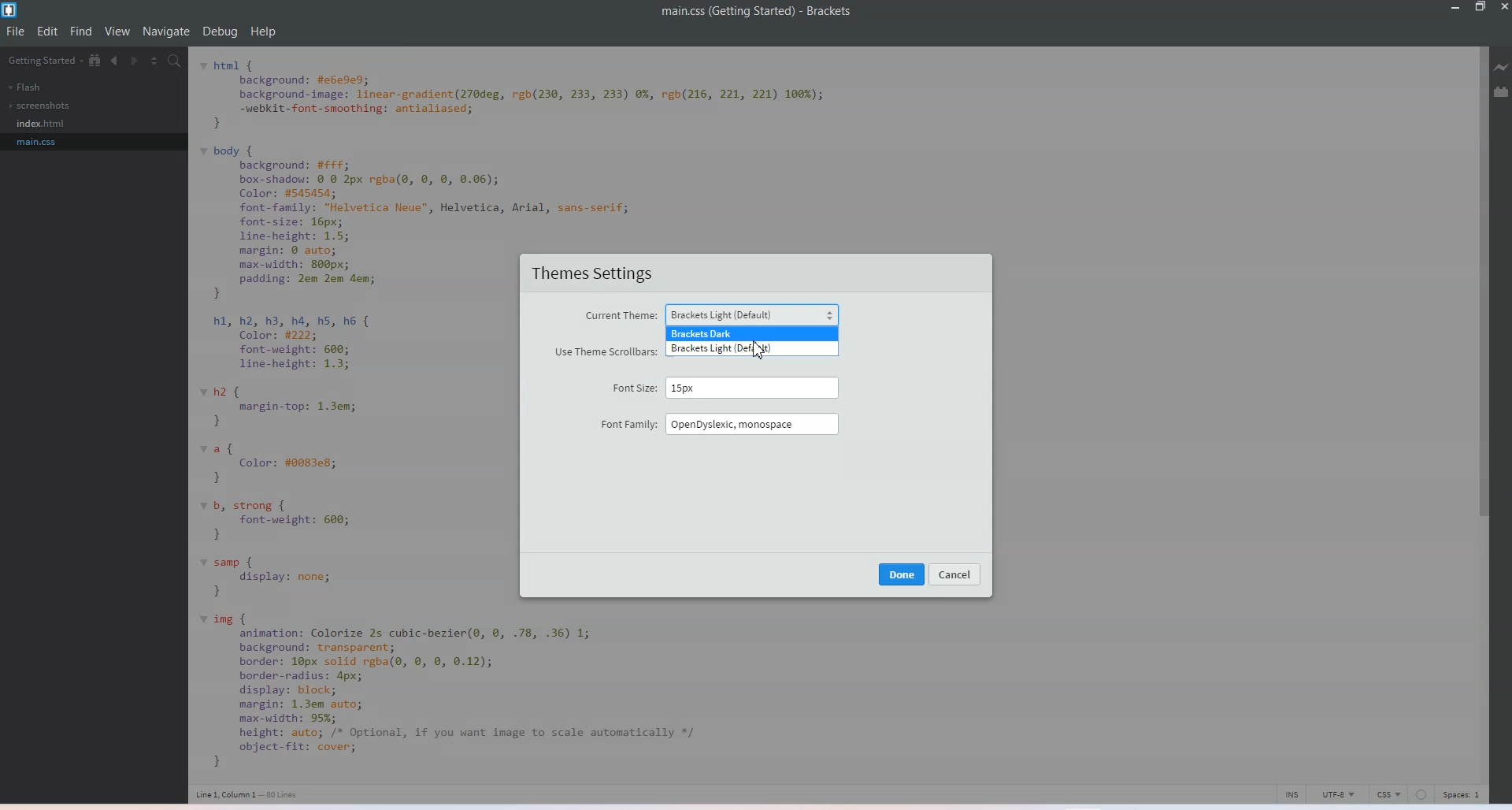 The image size is (1512, 810). I want to click on Help, so click(264, 32).